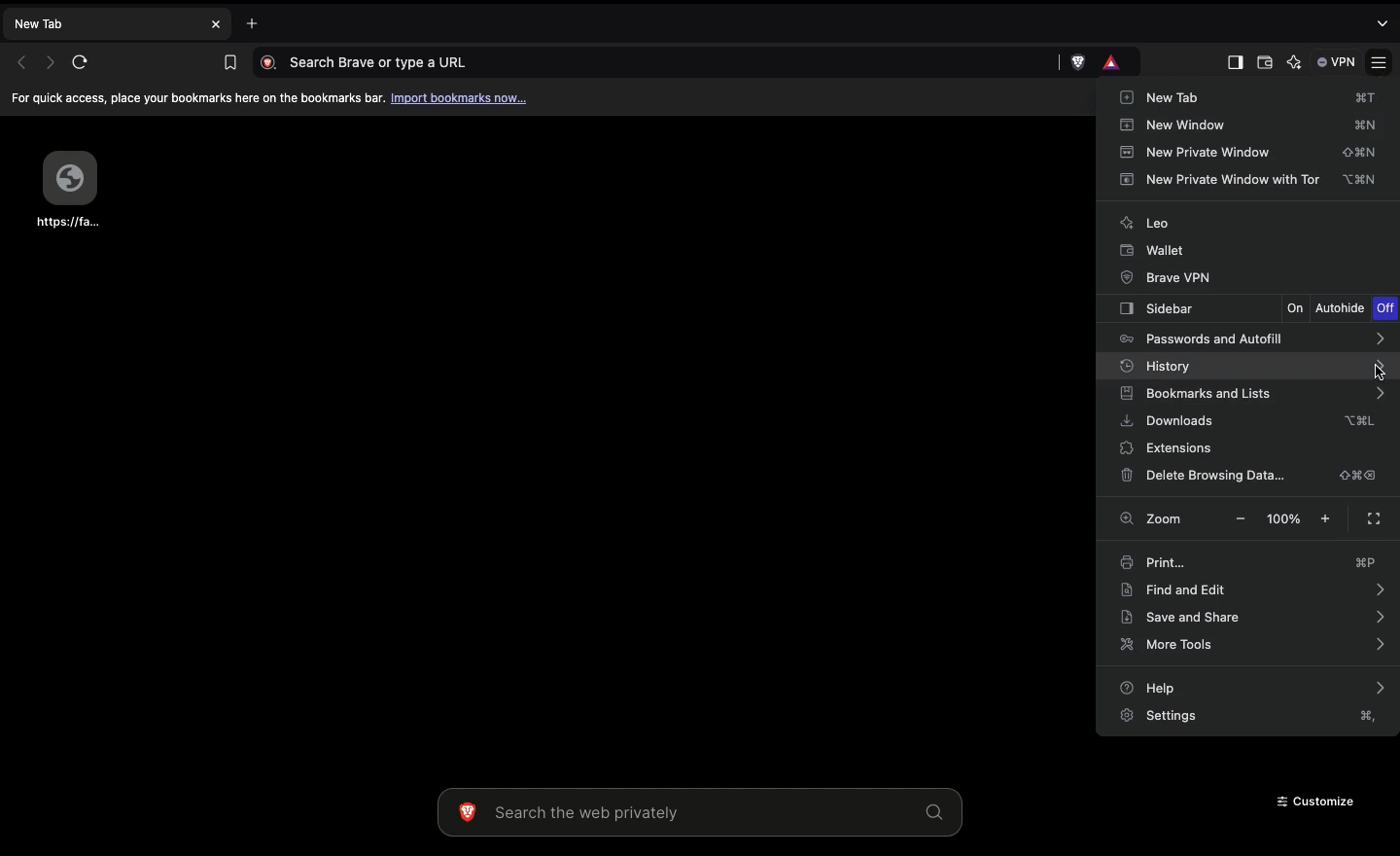 The height and width of the screenshot is (856, 1400). I want to click on Extensions, so click(1167, 448).